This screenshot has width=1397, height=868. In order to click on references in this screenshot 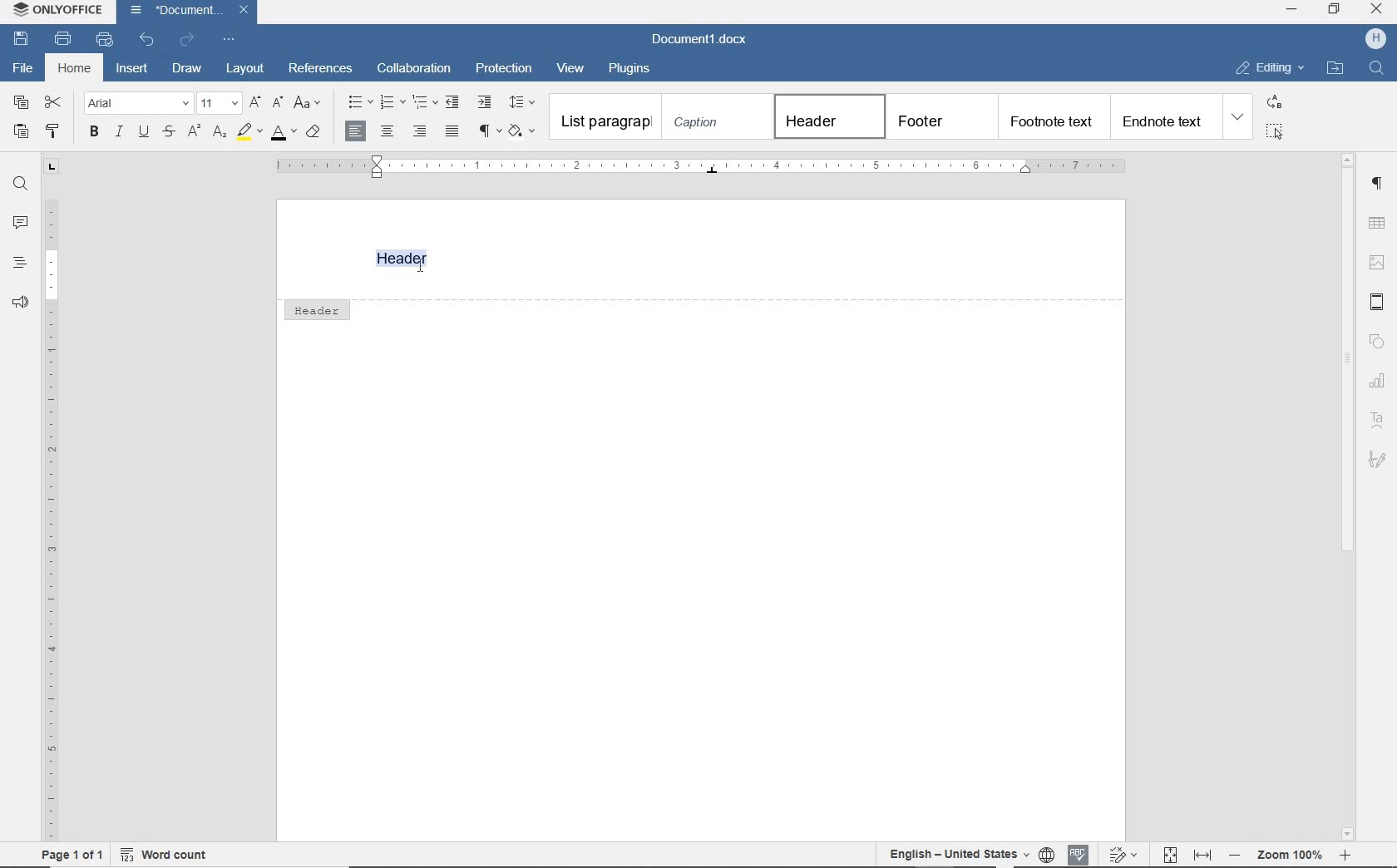, I will do `click(321, 70)`.